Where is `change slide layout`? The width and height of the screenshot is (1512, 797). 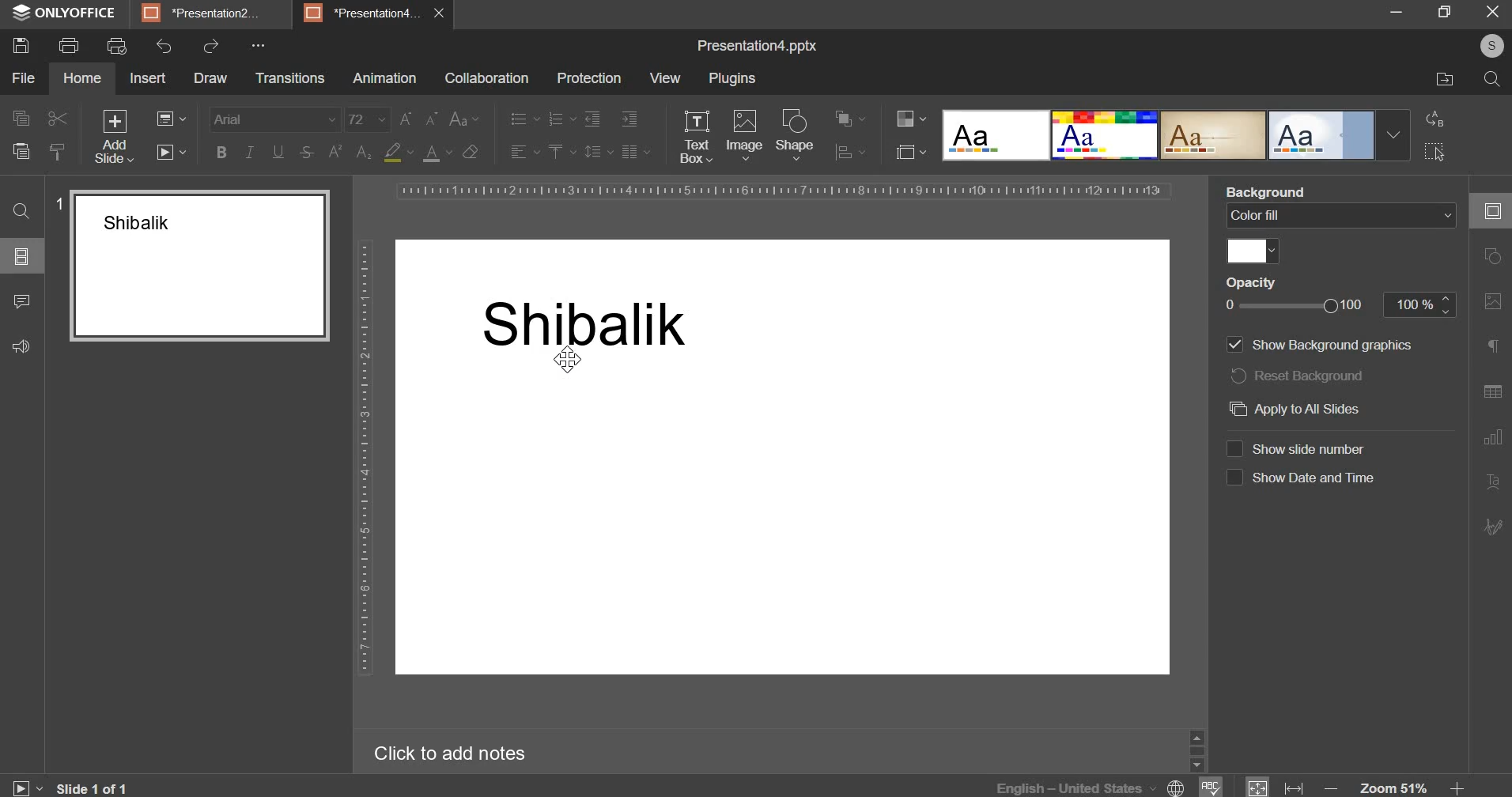
change slide layout is located at coordinates (171, 119).